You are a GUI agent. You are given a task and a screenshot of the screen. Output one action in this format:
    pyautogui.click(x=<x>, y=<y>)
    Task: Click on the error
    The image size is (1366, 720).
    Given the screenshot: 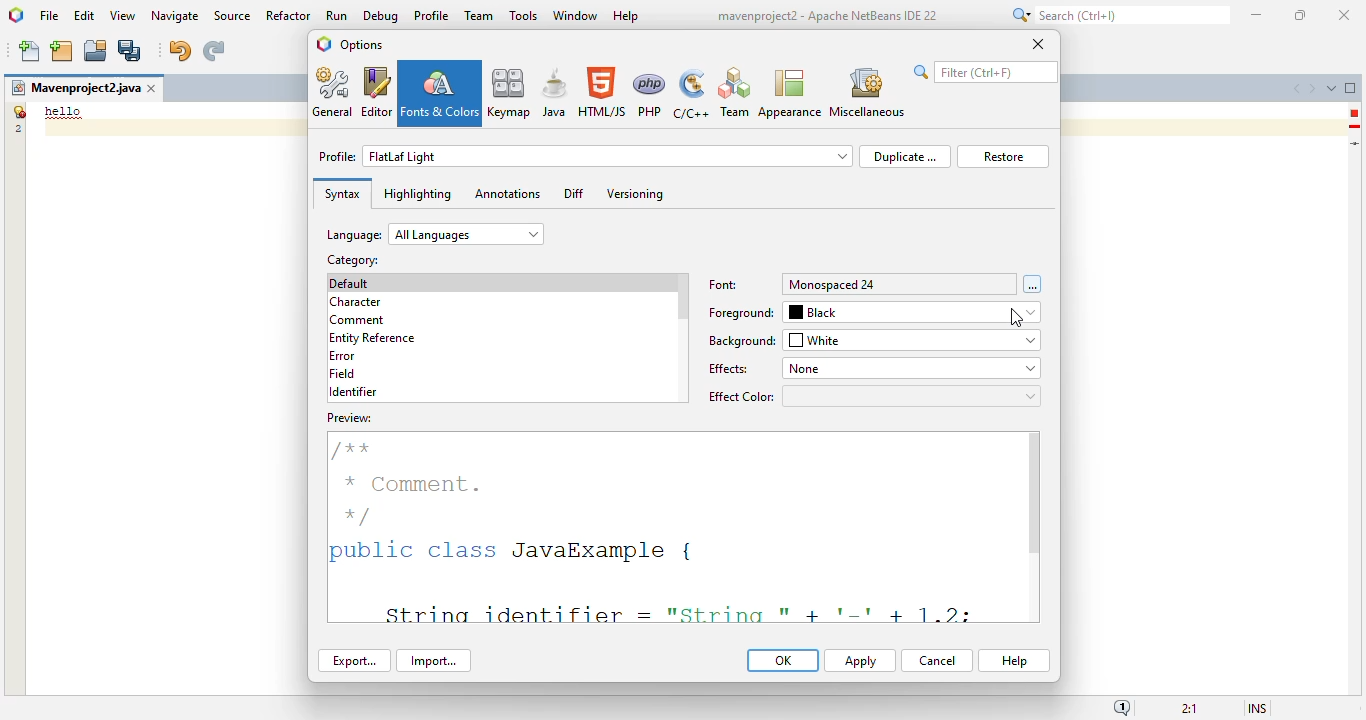 What is the action you would take?
    pyautogui.click(x=342, y=356)
    